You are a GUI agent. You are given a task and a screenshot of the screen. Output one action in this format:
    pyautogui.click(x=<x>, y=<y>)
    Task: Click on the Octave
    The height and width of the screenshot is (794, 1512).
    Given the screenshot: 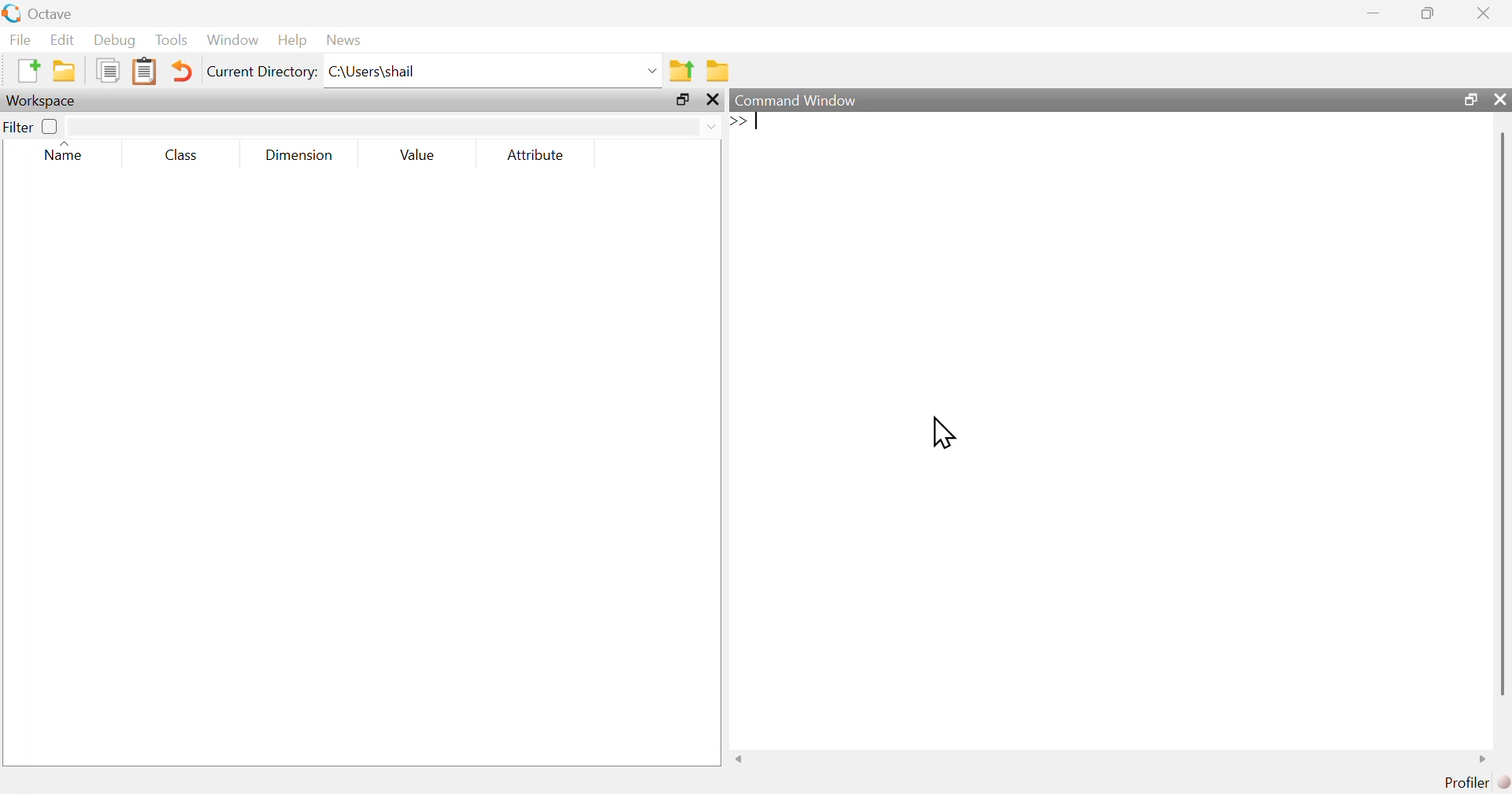 What is the action you would take?
    pyautogui.click(x=50, y=13)
    